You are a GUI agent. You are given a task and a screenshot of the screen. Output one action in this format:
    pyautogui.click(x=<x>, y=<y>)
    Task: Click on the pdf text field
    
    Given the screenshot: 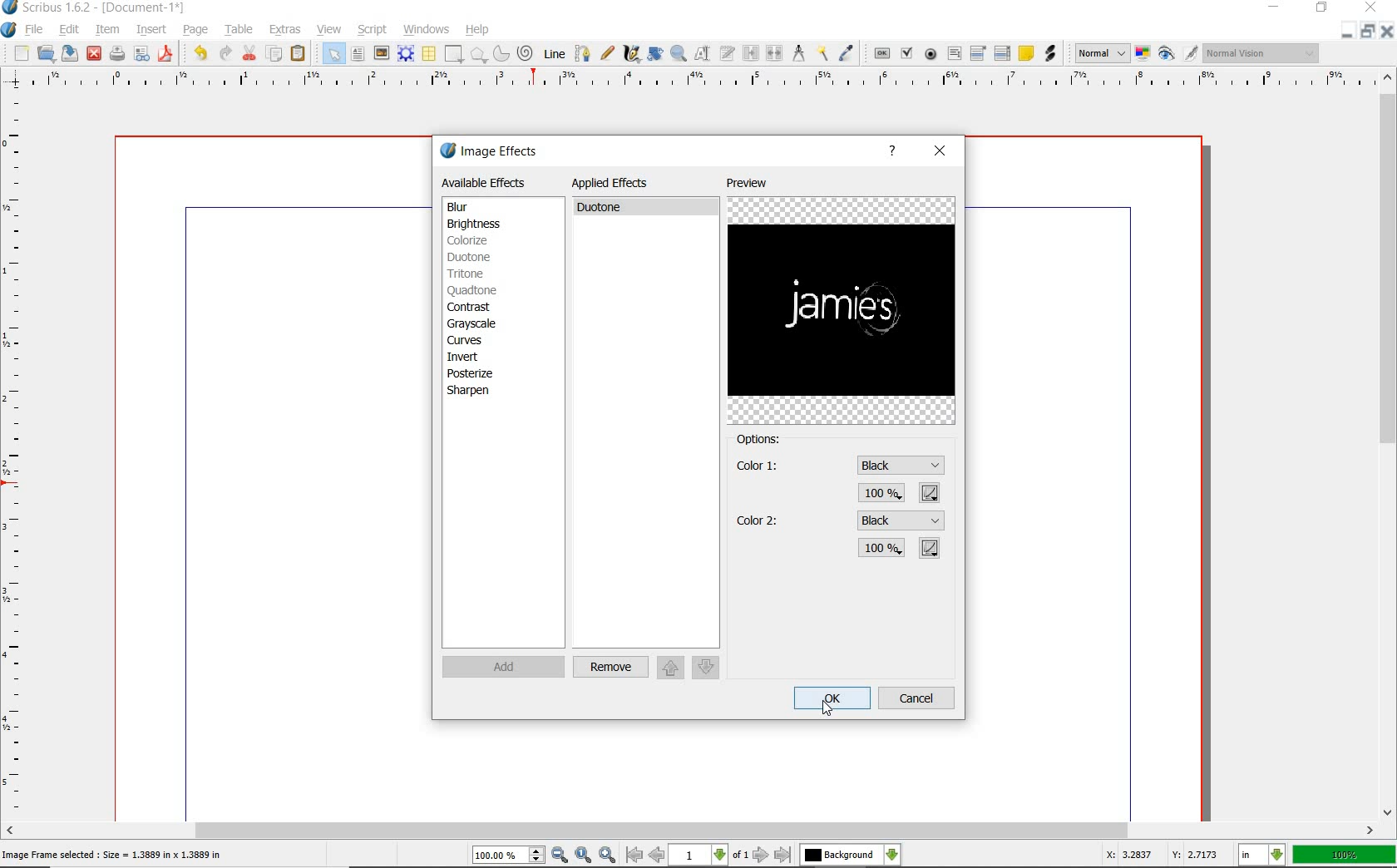 What is the action you would take?
    pyautogui.click(x=954, y=54)
    